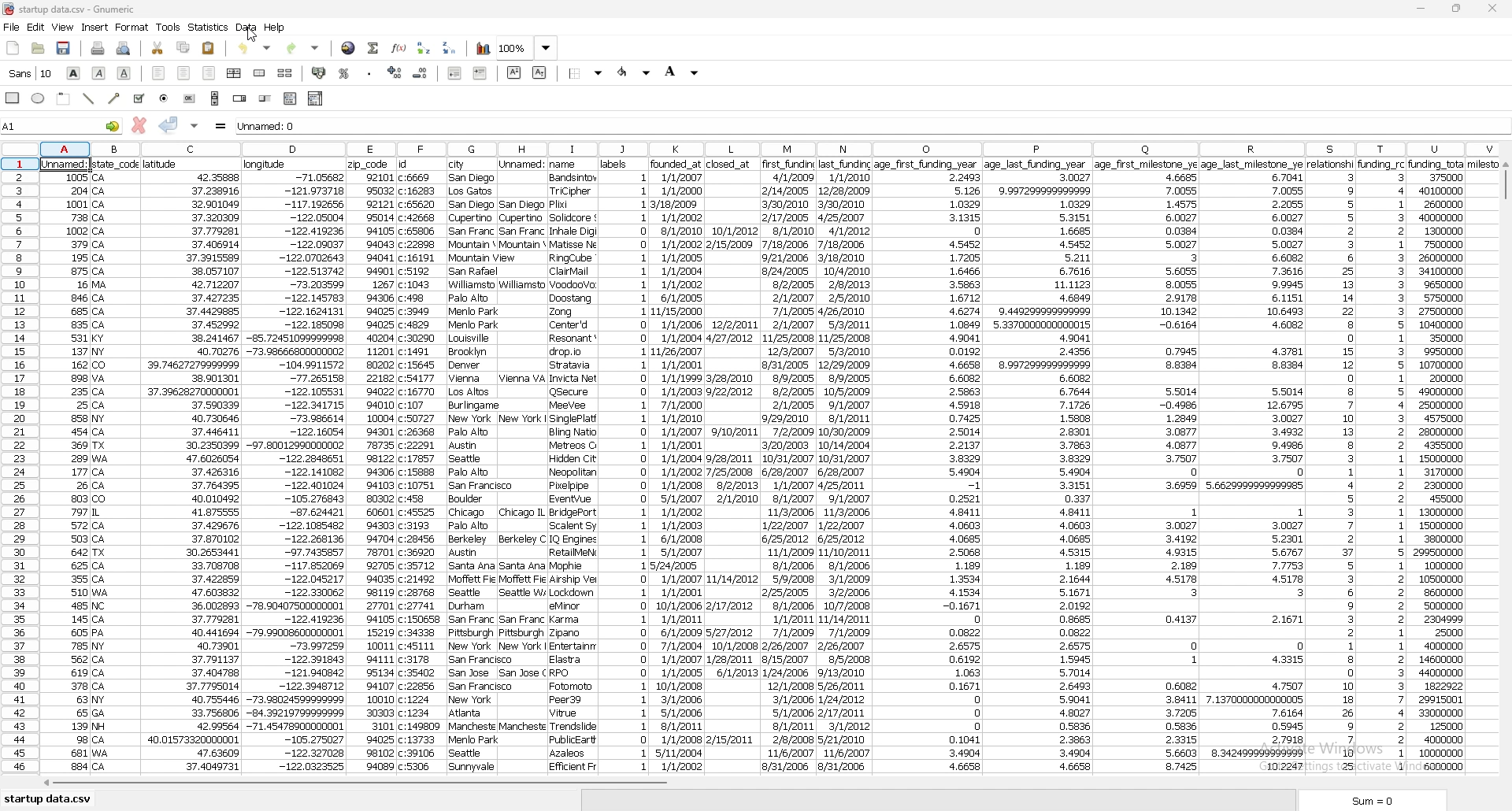 The height and width of the screenshot is (811, 1512). Describe the element at coordinates (1039, 468) in the screenshot. I see `data` at that location.